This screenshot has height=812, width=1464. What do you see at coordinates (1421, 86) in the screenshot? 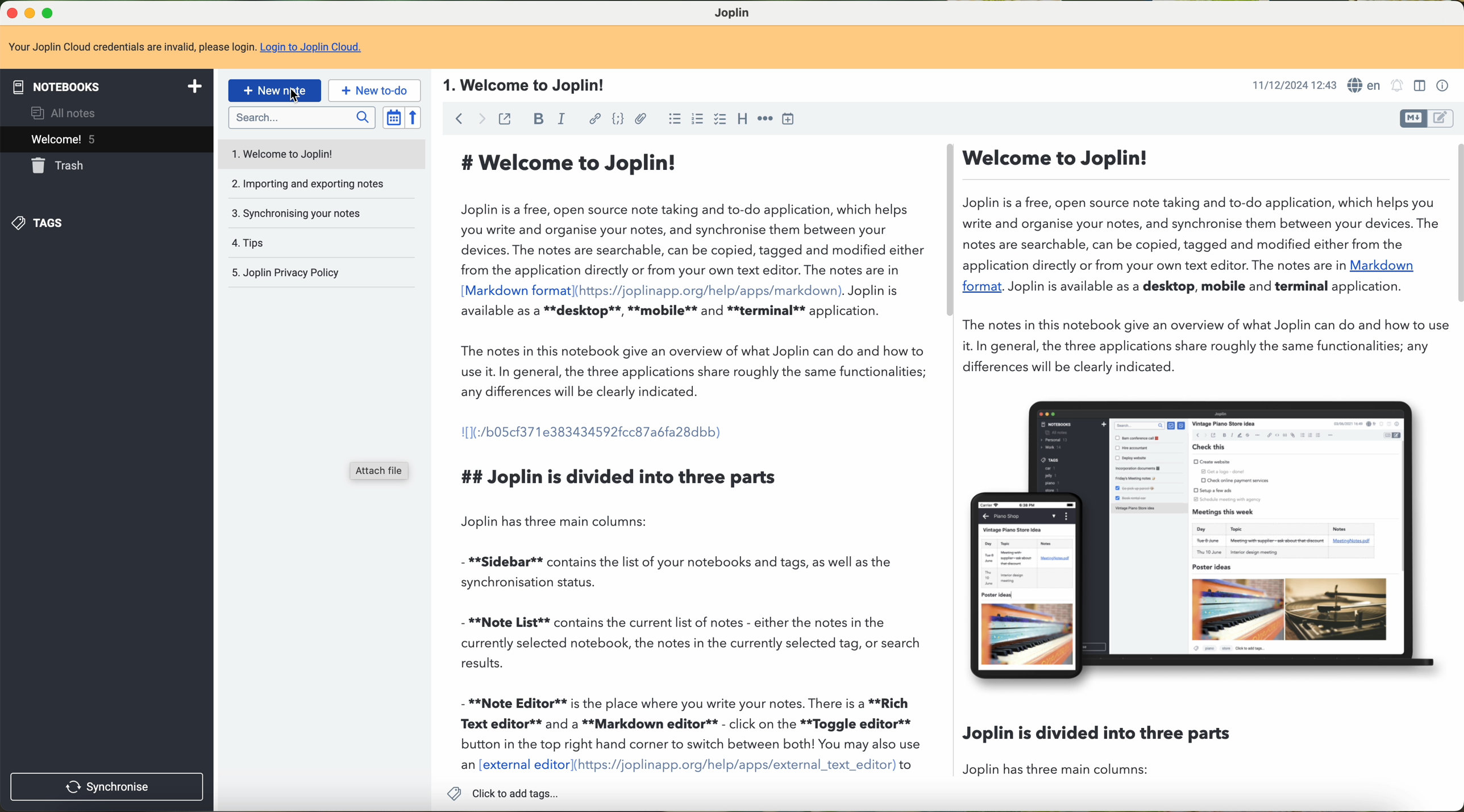
I see `toggle editor layout` at bounding box center [1421, 86].